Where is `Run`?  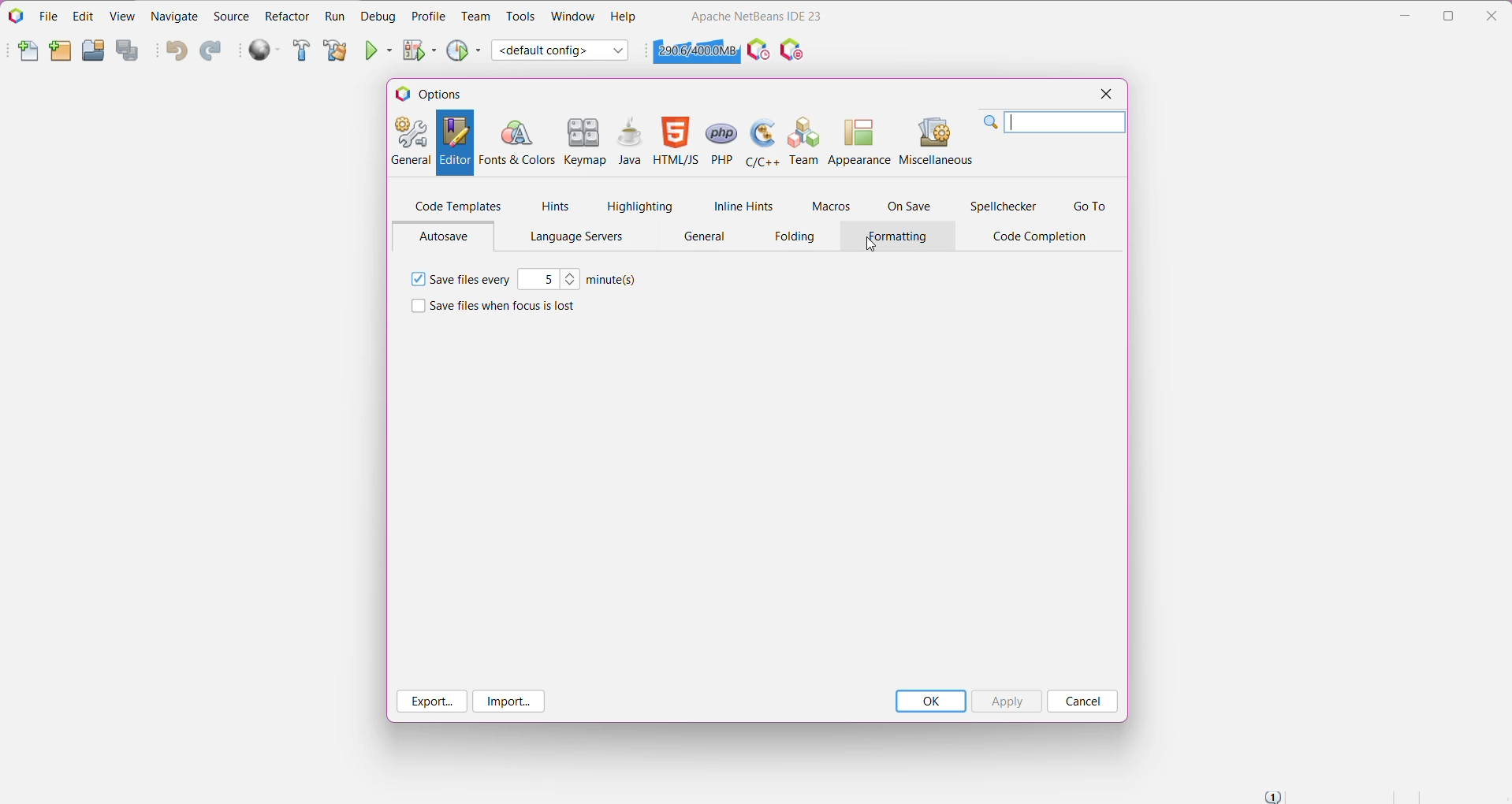 Run is located at coordinates (334, 17).